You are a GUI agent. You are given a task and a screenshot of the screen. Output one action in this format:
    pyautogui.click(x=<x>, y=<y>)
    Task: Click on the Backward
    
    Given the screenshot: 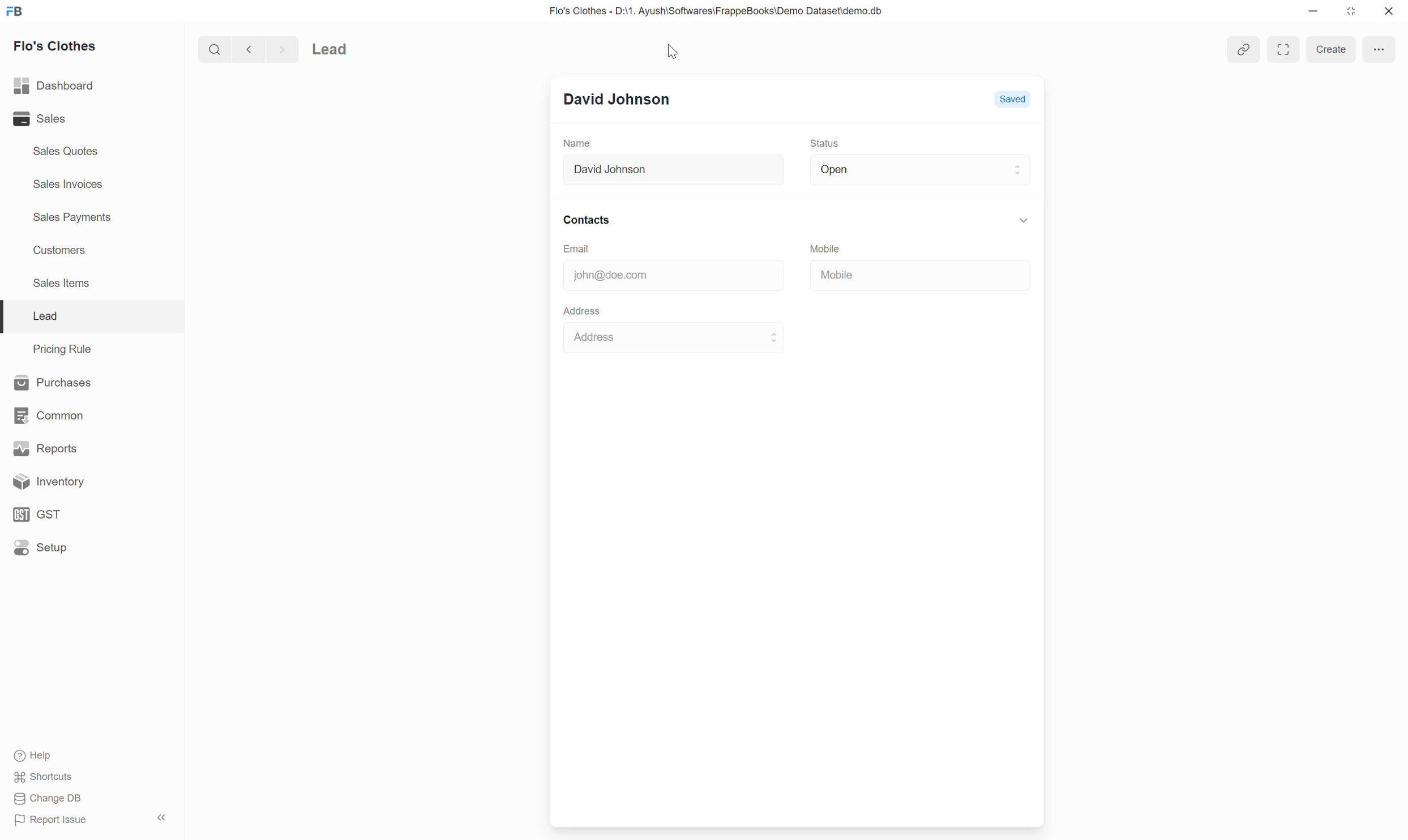 What is the action you would take?
    pyautogui.click(x=245, y=48)
    